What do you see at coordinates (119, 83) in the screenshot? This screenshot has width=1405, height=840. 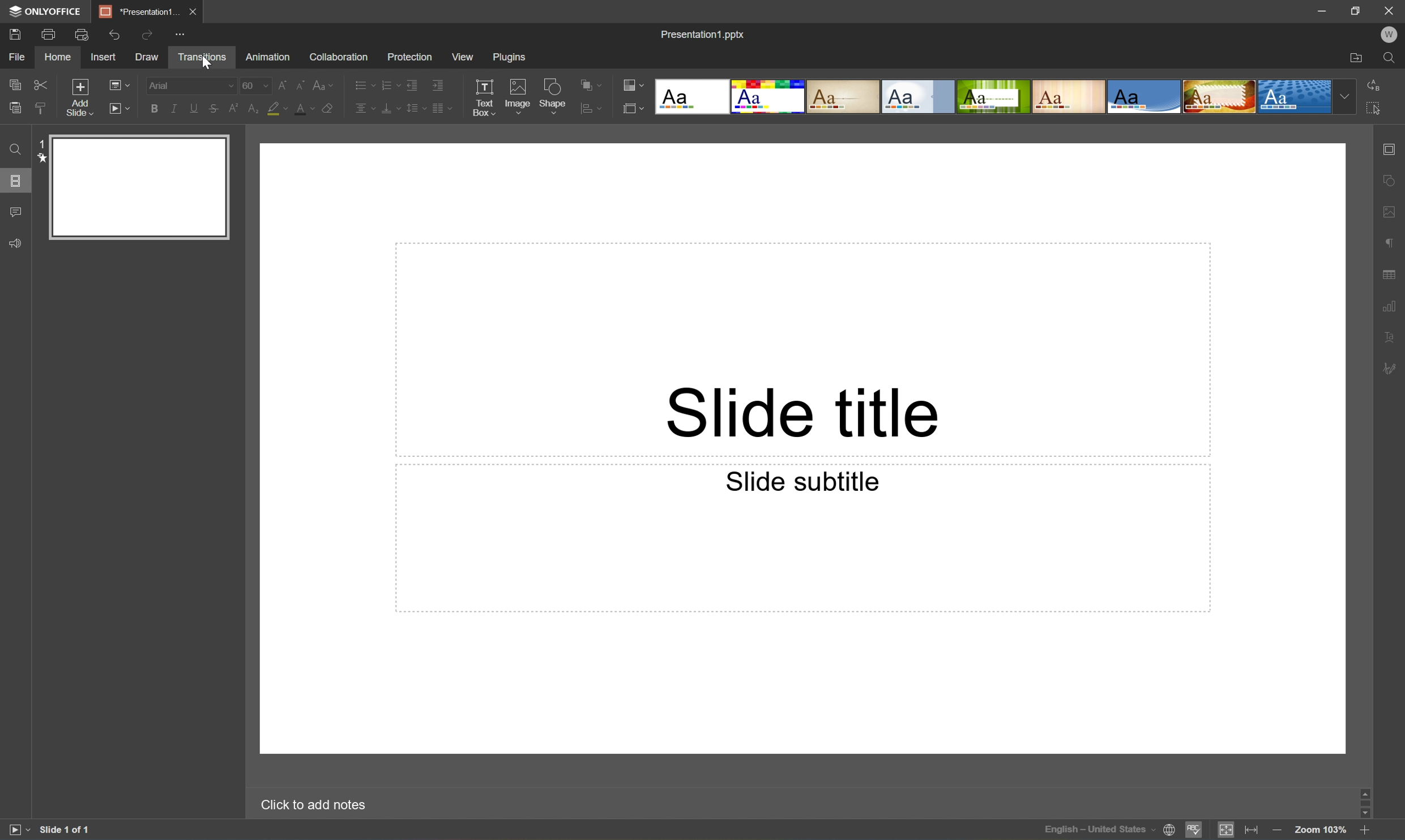 I see `Change slide layout` at bounding box center [119, 83].